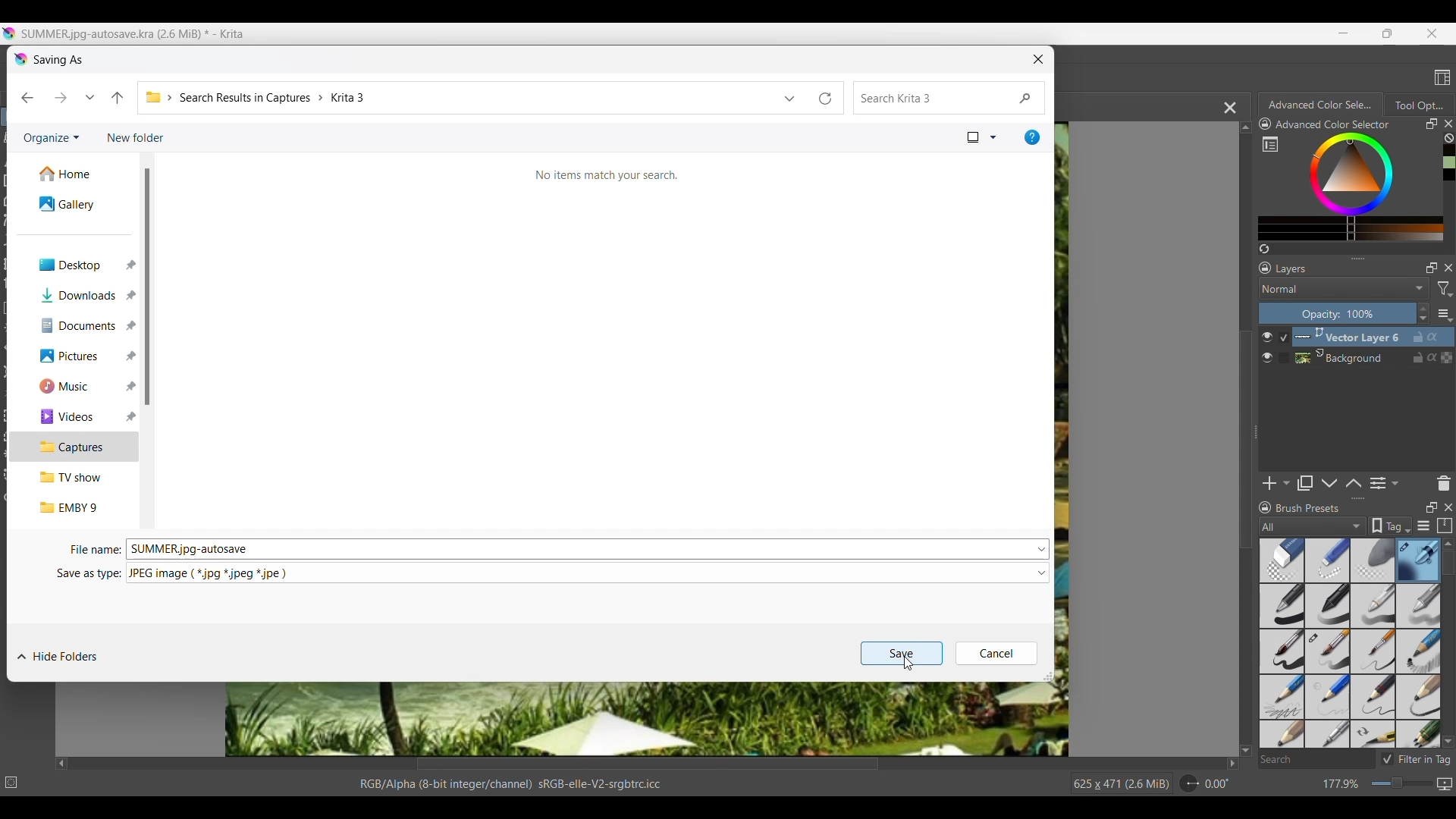  What do you see at coordinates (1442, 77) in the screenshot?
I see `Choose workspace` at bounding box center [1442, 77].